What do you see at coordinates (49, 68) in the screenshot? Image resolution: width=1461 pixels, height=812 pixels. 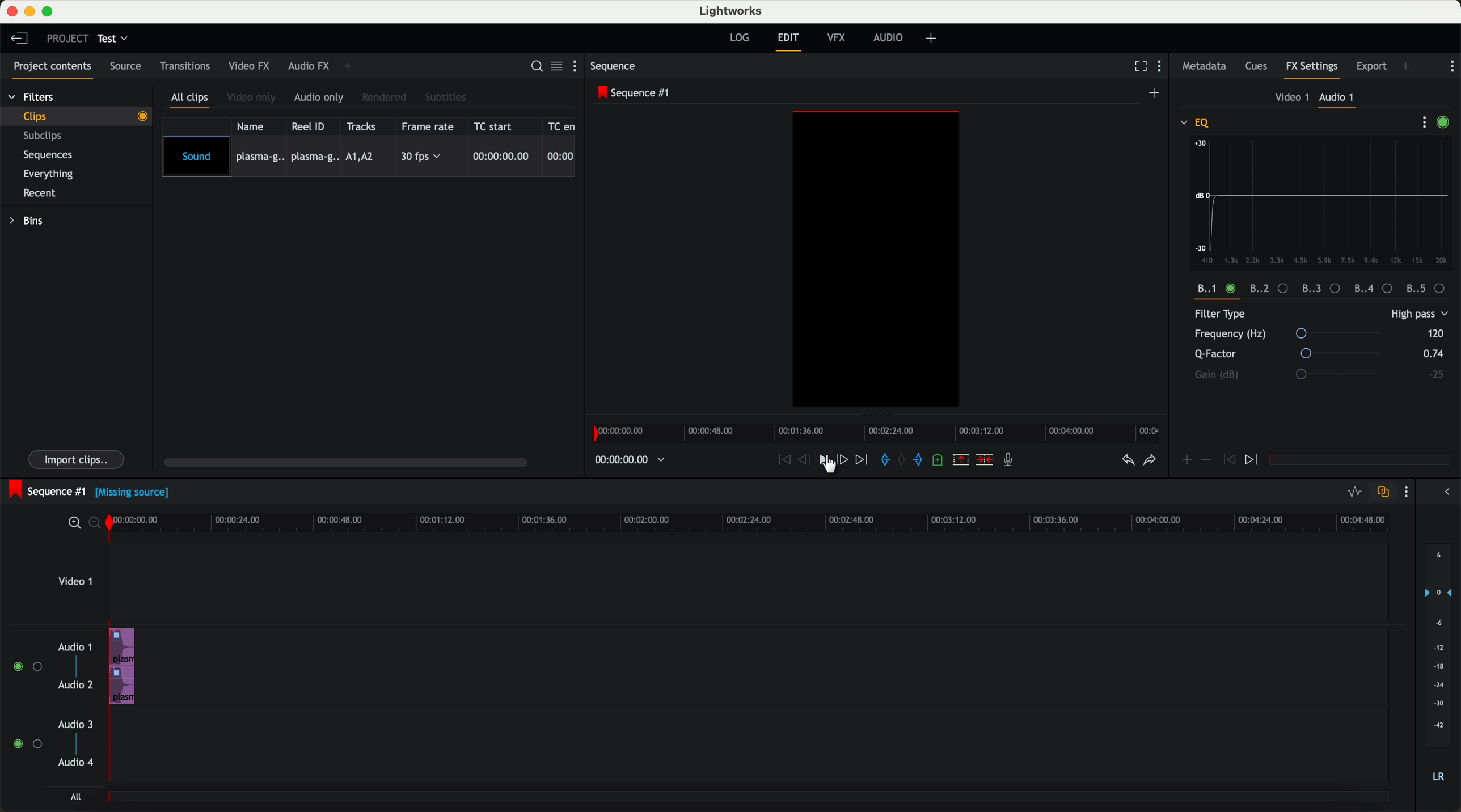 I see `project contents` at bounding box center [49, 68].